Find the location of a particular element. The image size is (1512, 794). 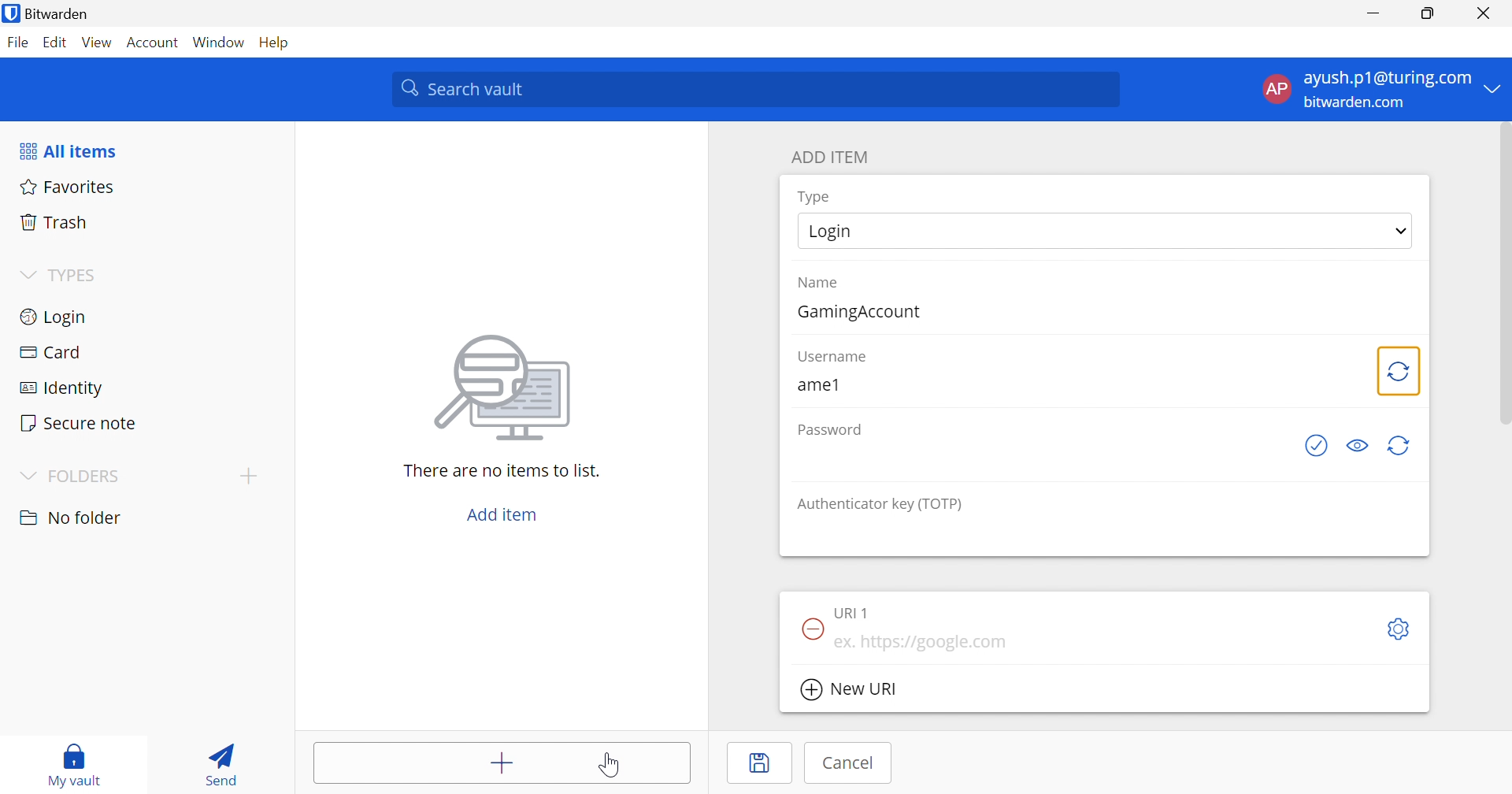

ADD ITEM is located at coordinates (834, 158).